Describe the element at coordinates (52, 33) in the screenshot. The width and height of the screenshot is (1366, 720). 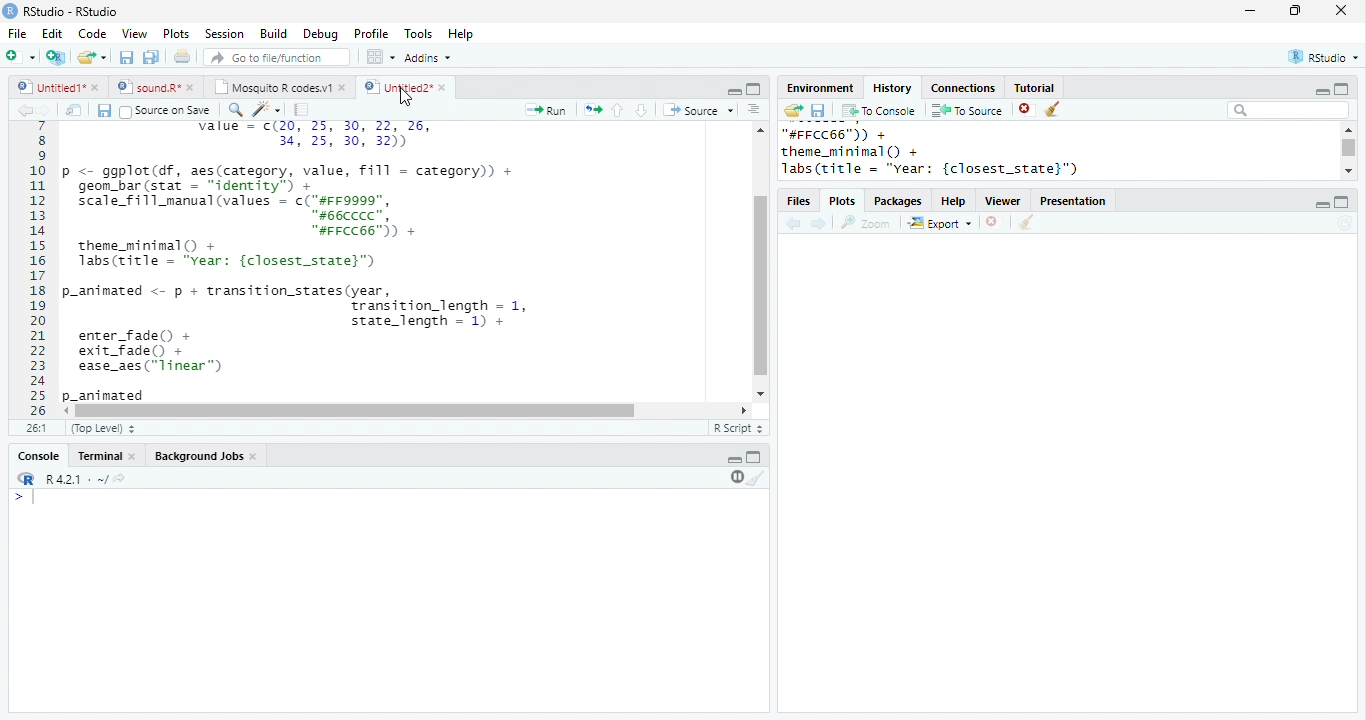
I see `Edit` at that location.